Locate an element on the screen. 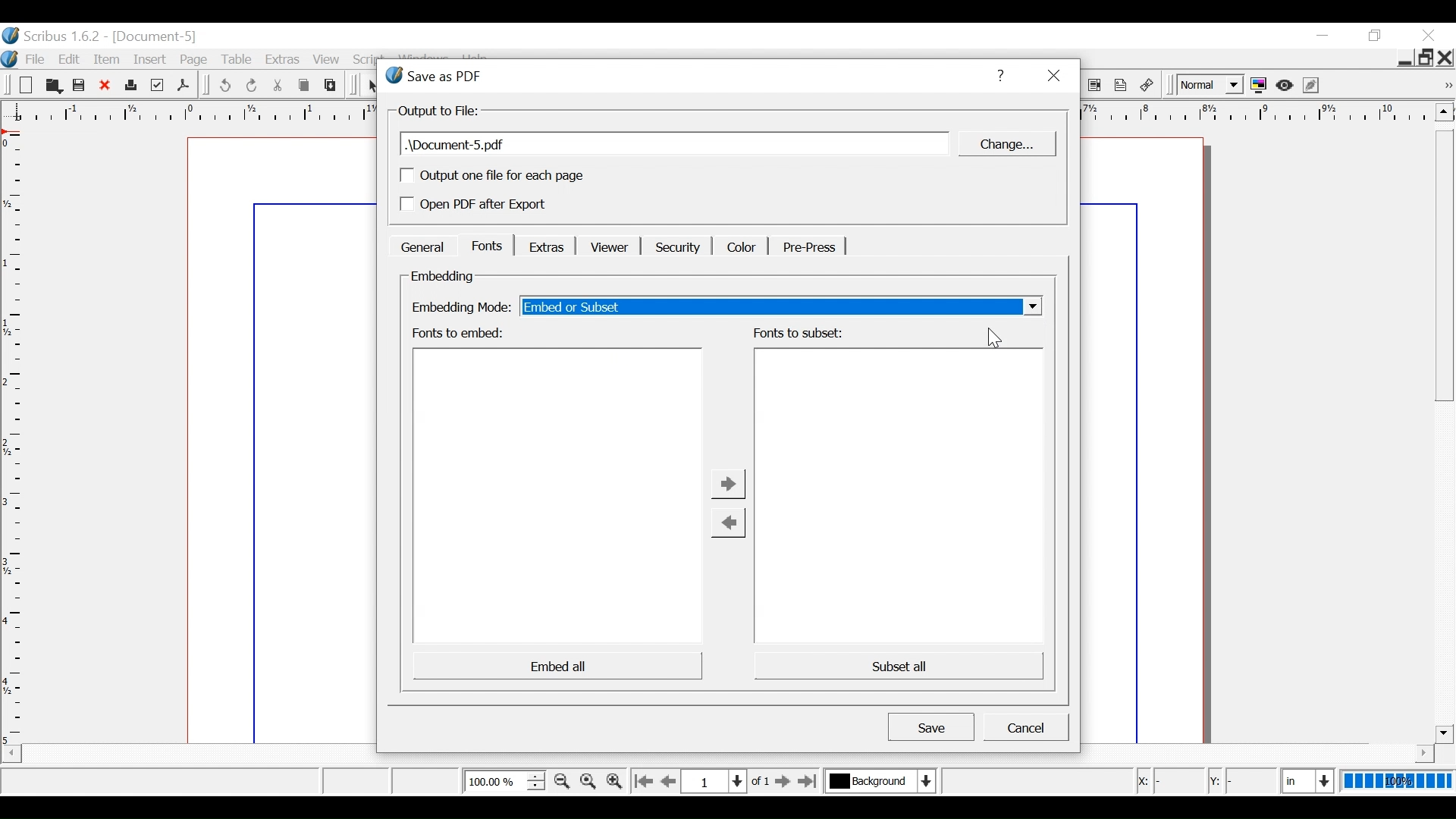 The width and height of the screenshot is (1456, 819). minimize is located at coordinates (1403, 60).